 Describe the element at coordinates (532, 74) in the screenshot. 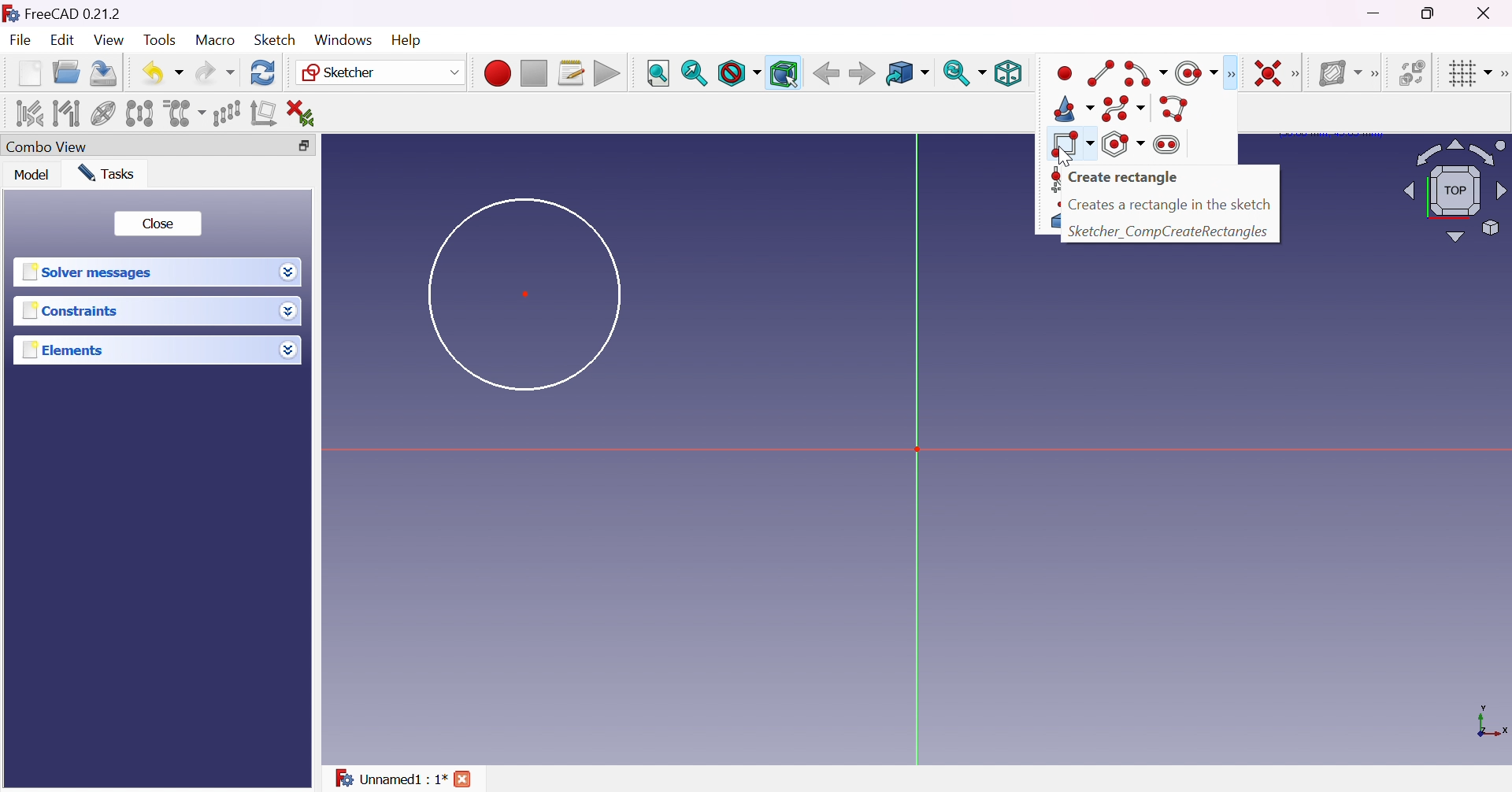

I see `Stop macro recording` at that location.